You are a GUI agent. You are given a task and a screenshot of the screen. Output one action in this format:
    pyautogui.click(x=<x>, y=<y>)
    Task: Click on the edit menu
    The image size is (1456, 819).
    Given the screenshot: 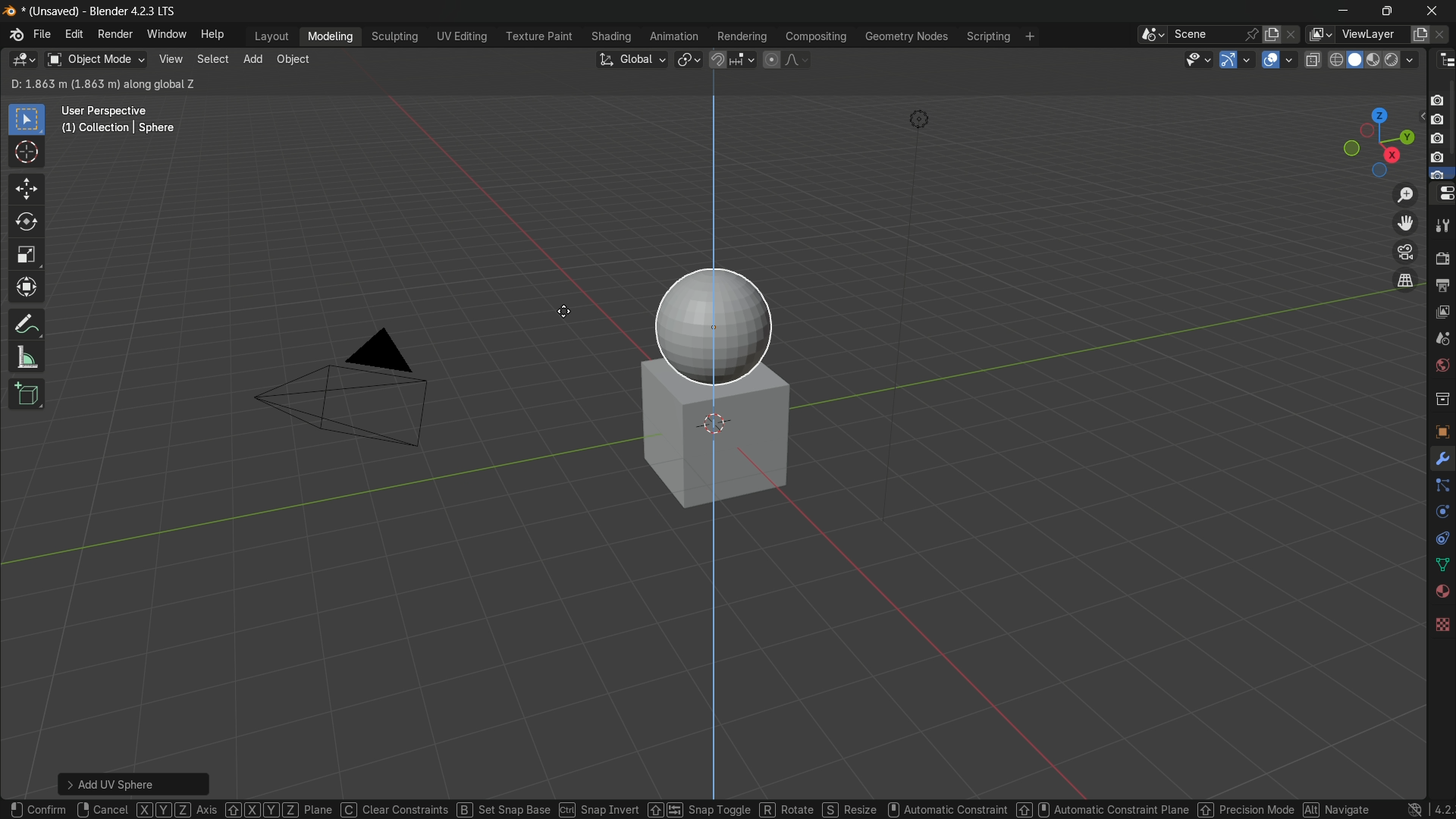 What is the action you would take?
    pyautogui.click(x=76, y=34)
    